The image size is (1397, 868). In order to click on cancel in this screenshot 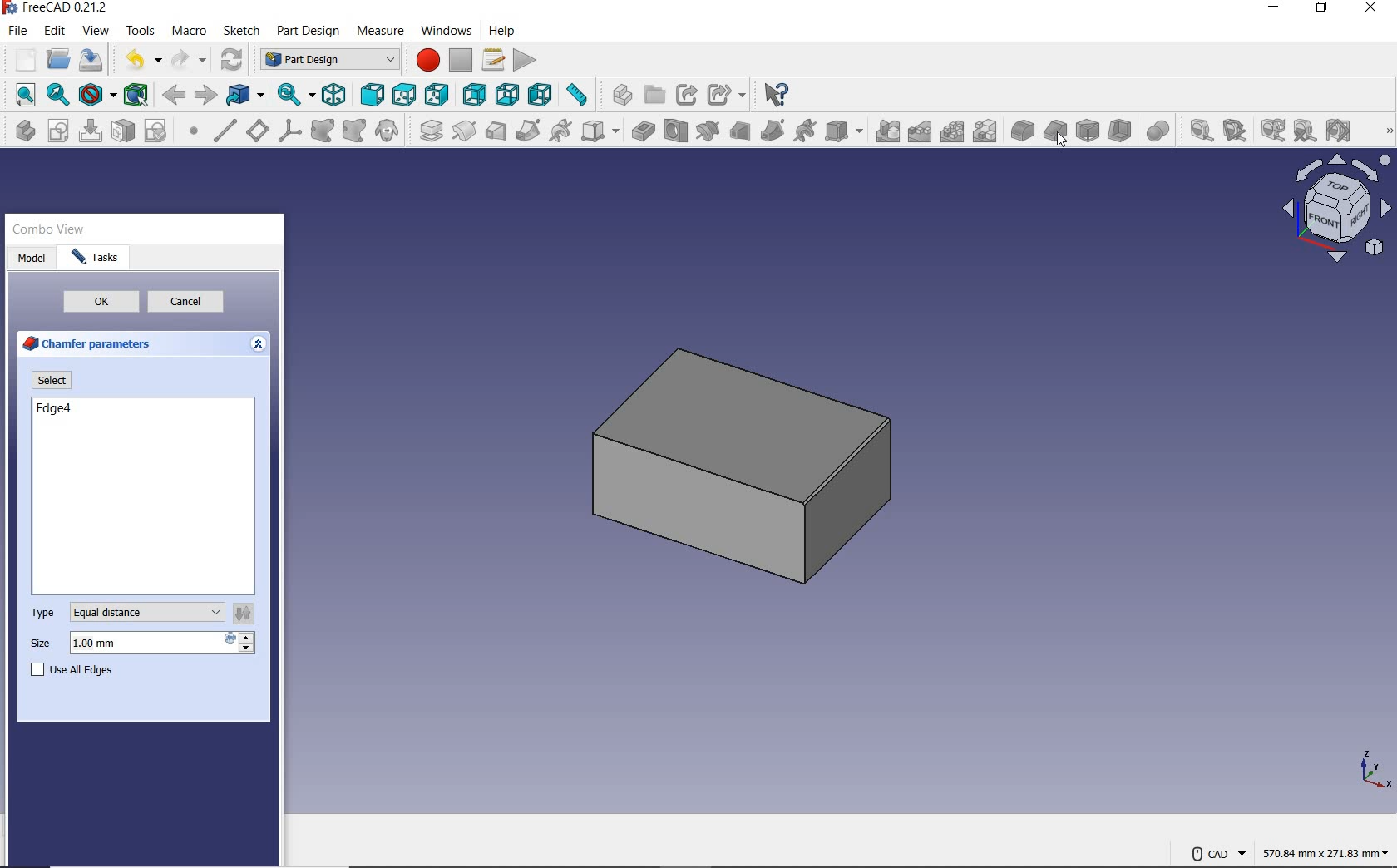, I will do `click(192, 303)`.